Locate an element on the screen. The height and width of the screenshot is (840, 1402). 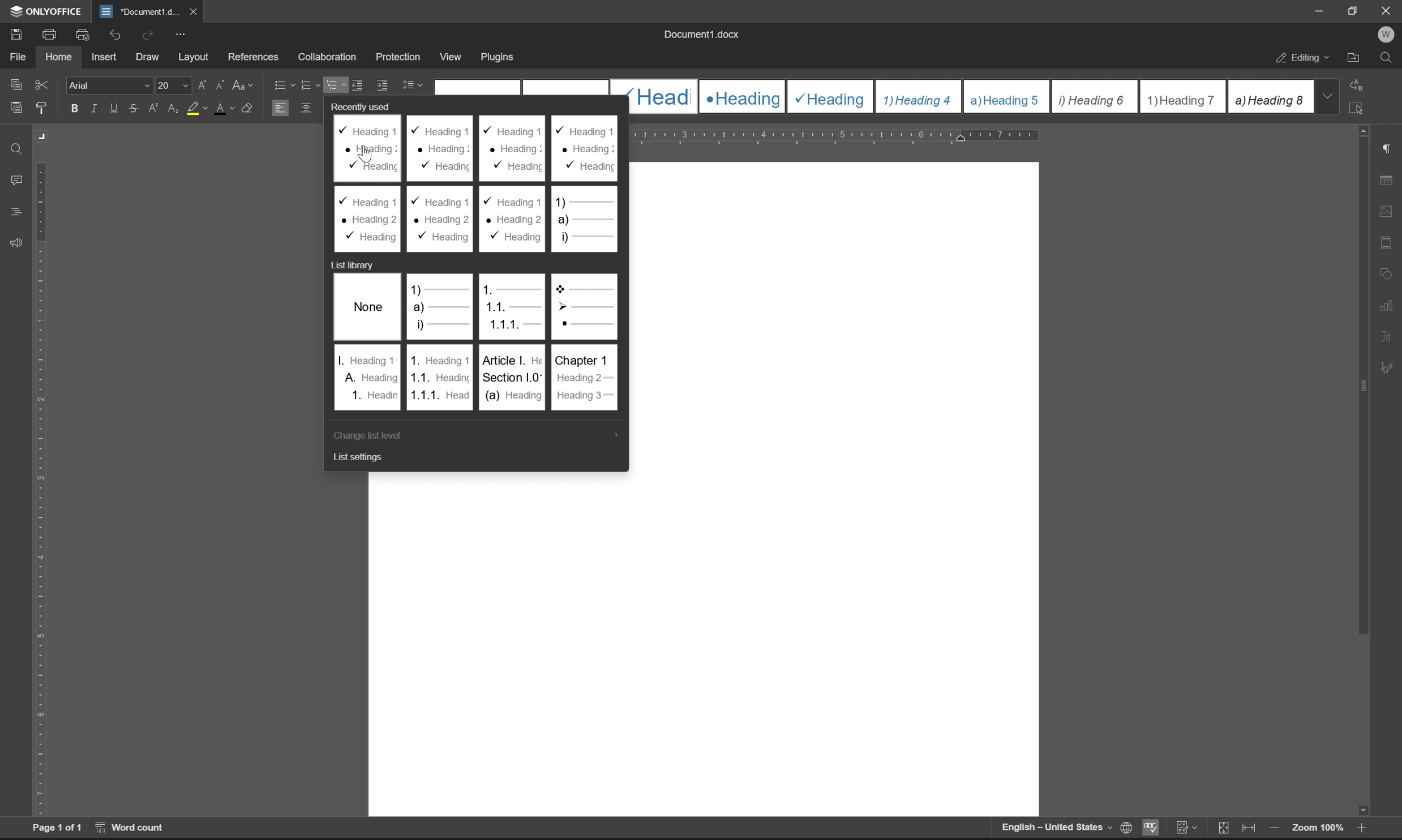
headings is located at coordinates (16, 212).